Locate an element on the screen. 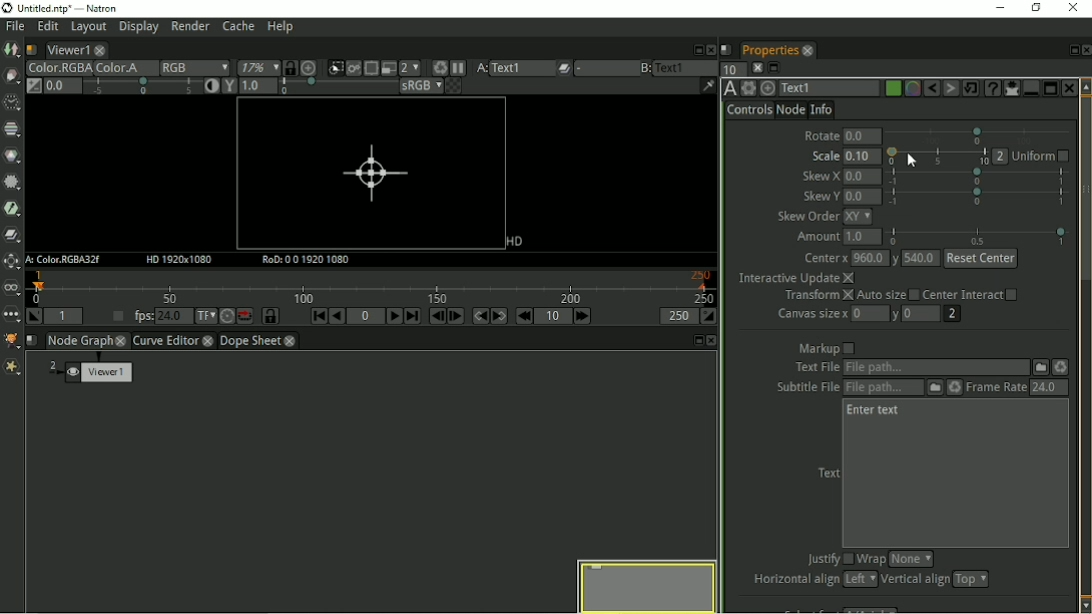 Image resolution: width=1092 pixels, height=614 pixels. GMIC is located at coordinates (12, 338).